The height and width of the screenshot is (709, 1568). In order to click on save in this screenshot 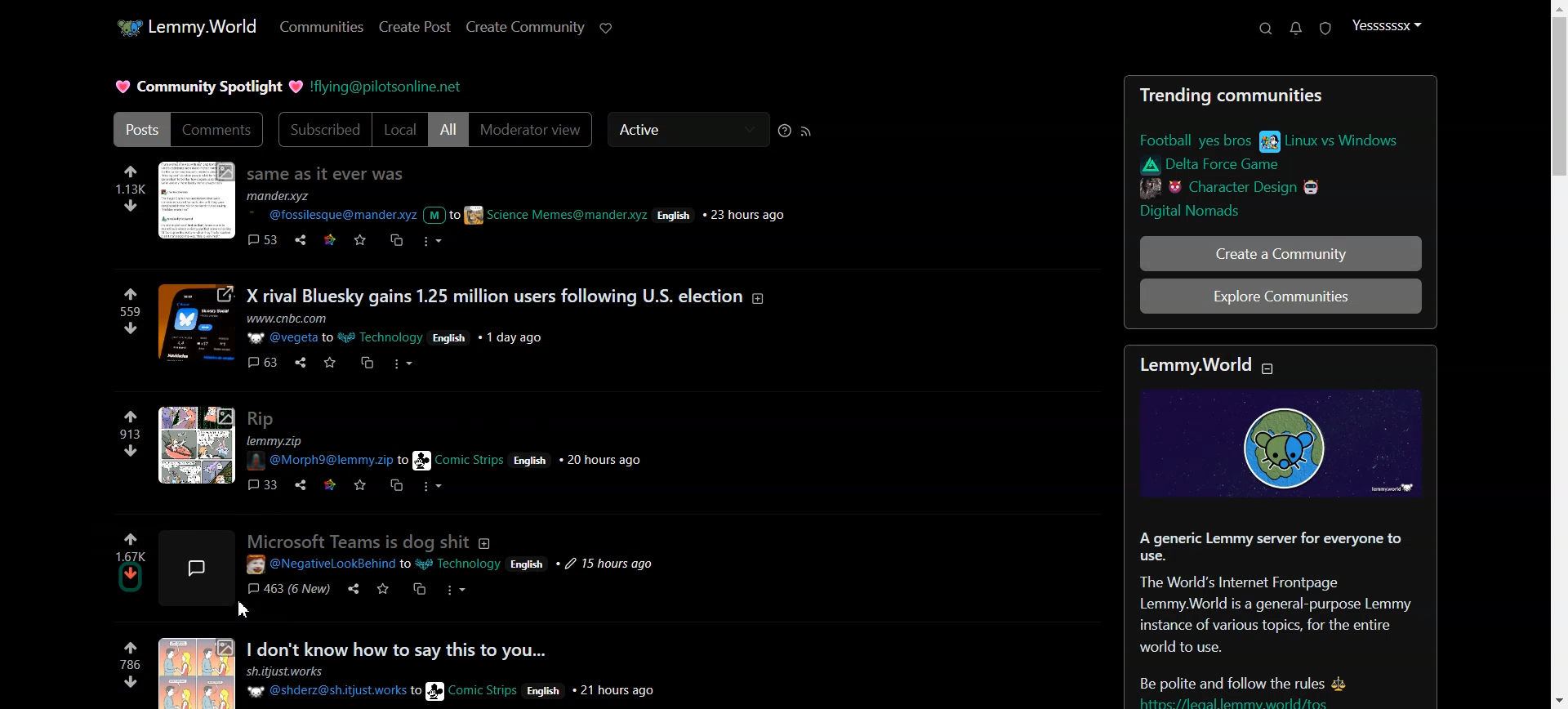, I will do `click(332, 364)`.